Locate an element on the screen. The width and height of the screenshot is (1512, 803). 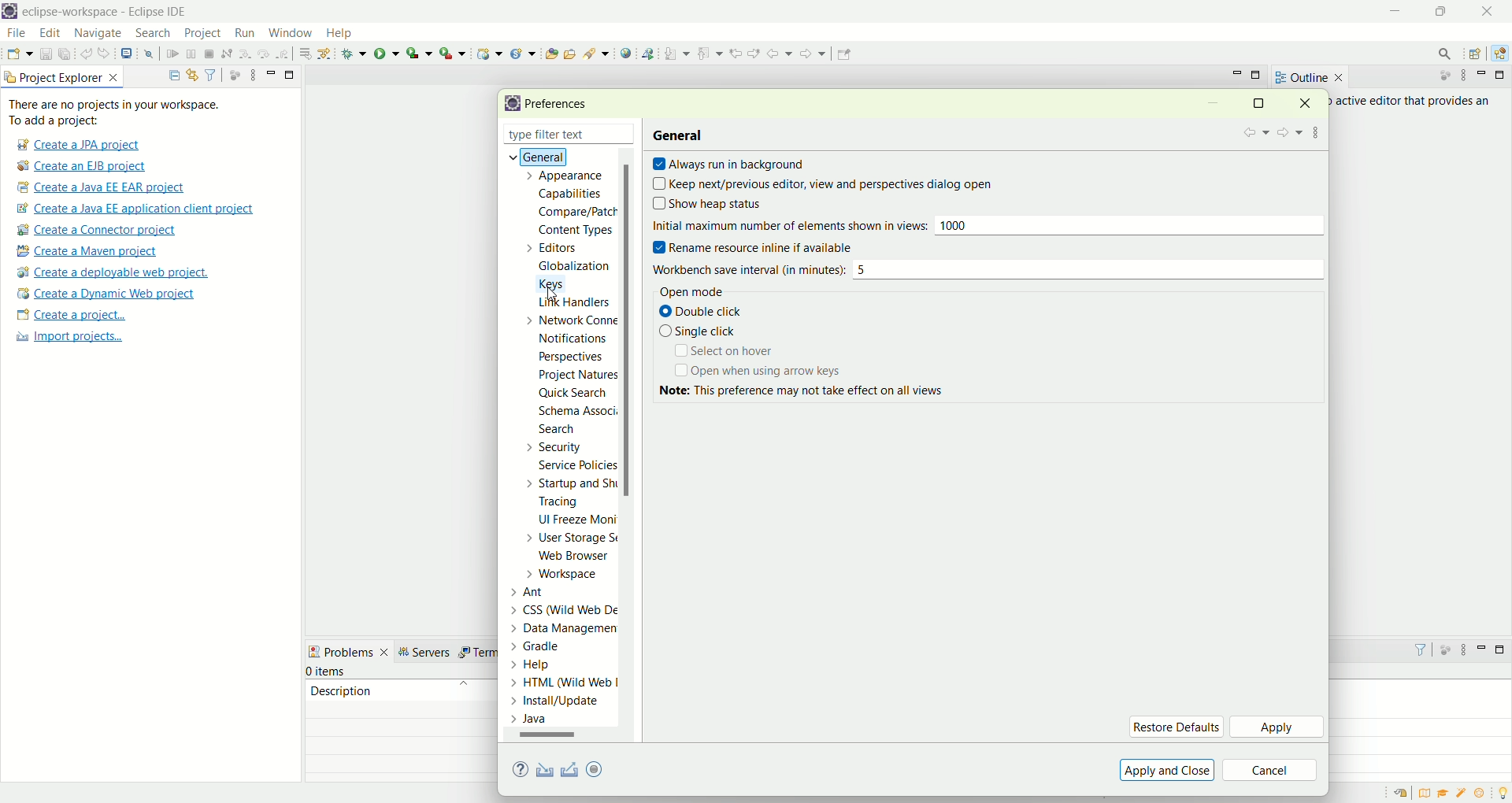
user storage service is located at coordinates (573, 540).